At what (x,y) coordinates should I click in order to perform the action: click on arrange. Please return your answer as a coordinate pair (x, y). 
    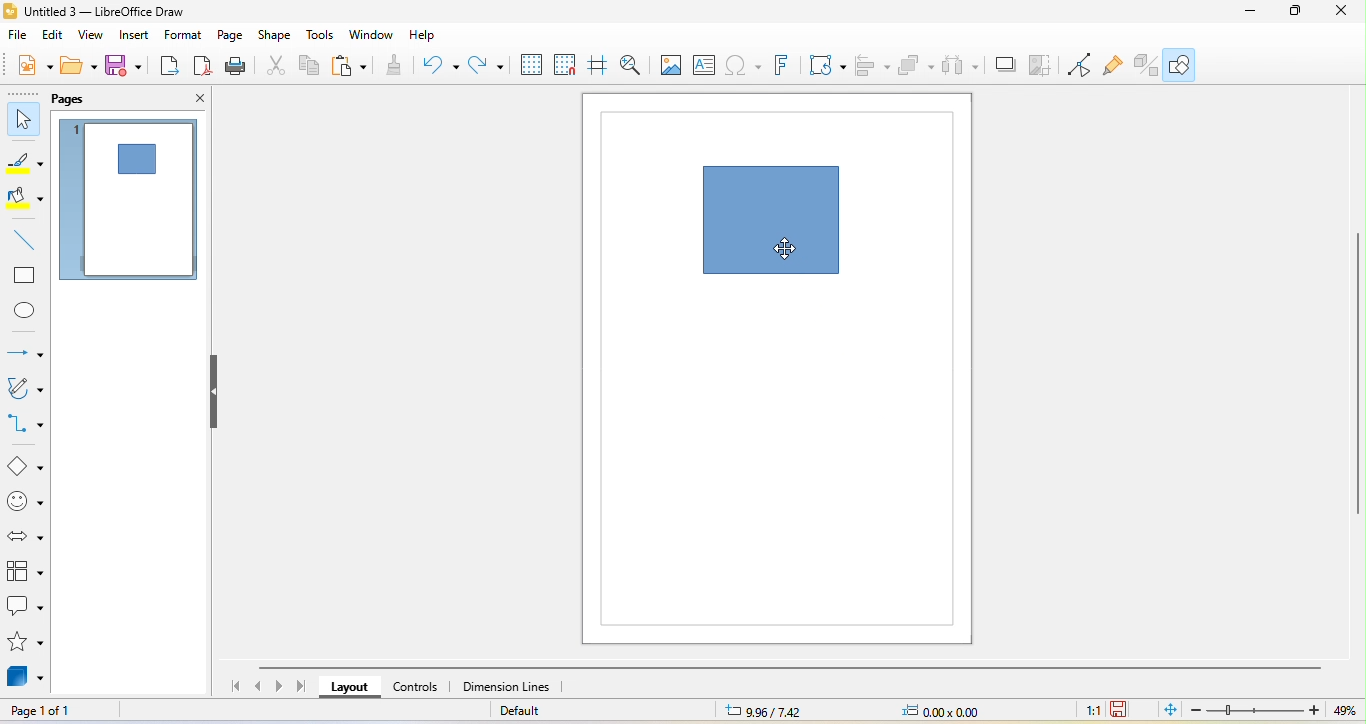
    Looking at the image, I should click on (916, 68).